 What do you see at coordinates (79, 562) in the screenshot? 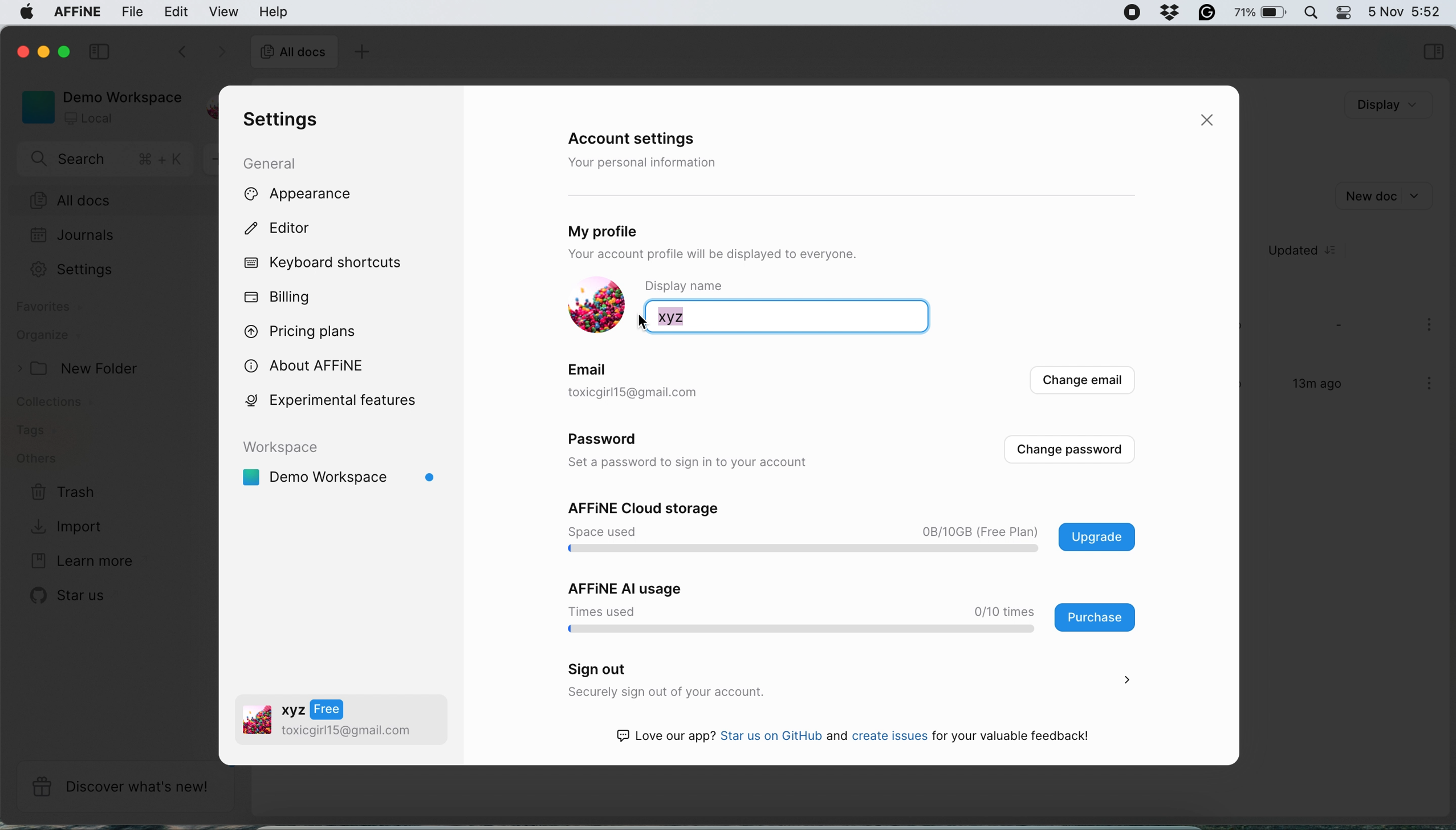
I see `learn more` at bounding box center [79, 562].